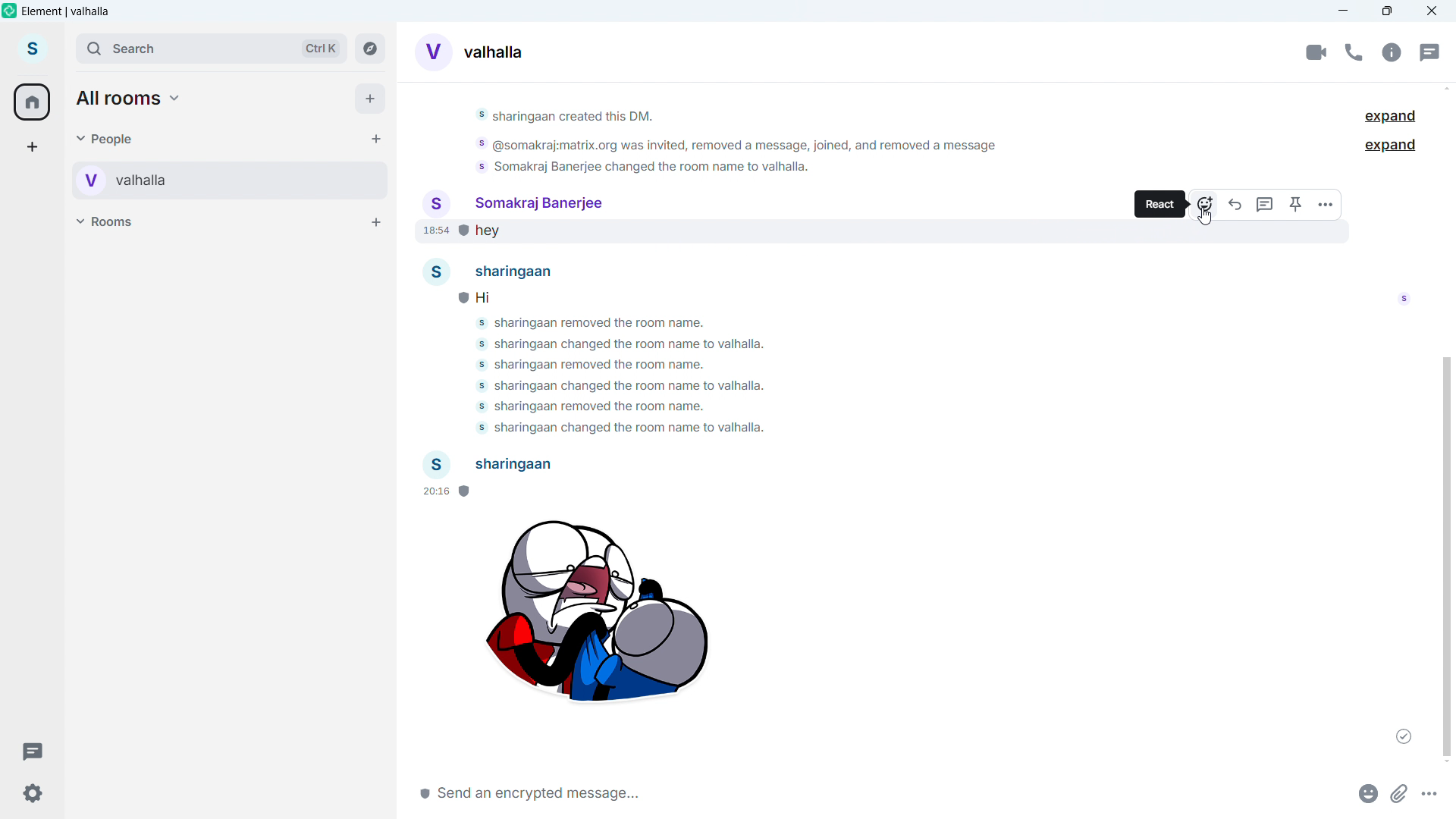 This screenshot has height=819, width=1456. What do you see at coordinates (635, 345) in the screenshot?
I see `somakraj banerjee charged the room name to valhalla` at bounding box center [635, 345].